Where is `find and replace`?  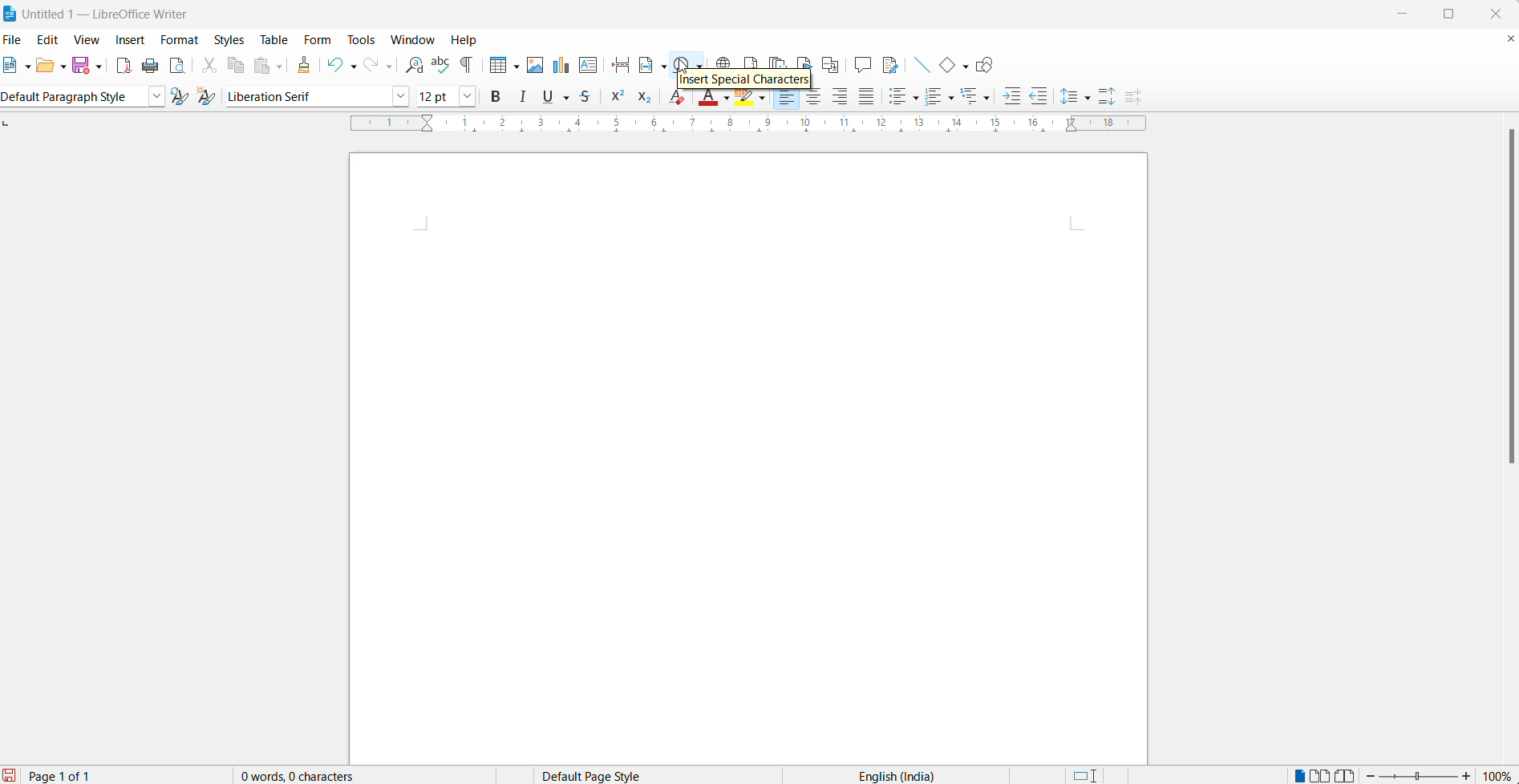
find and replace is located at coordinates (415, 64).